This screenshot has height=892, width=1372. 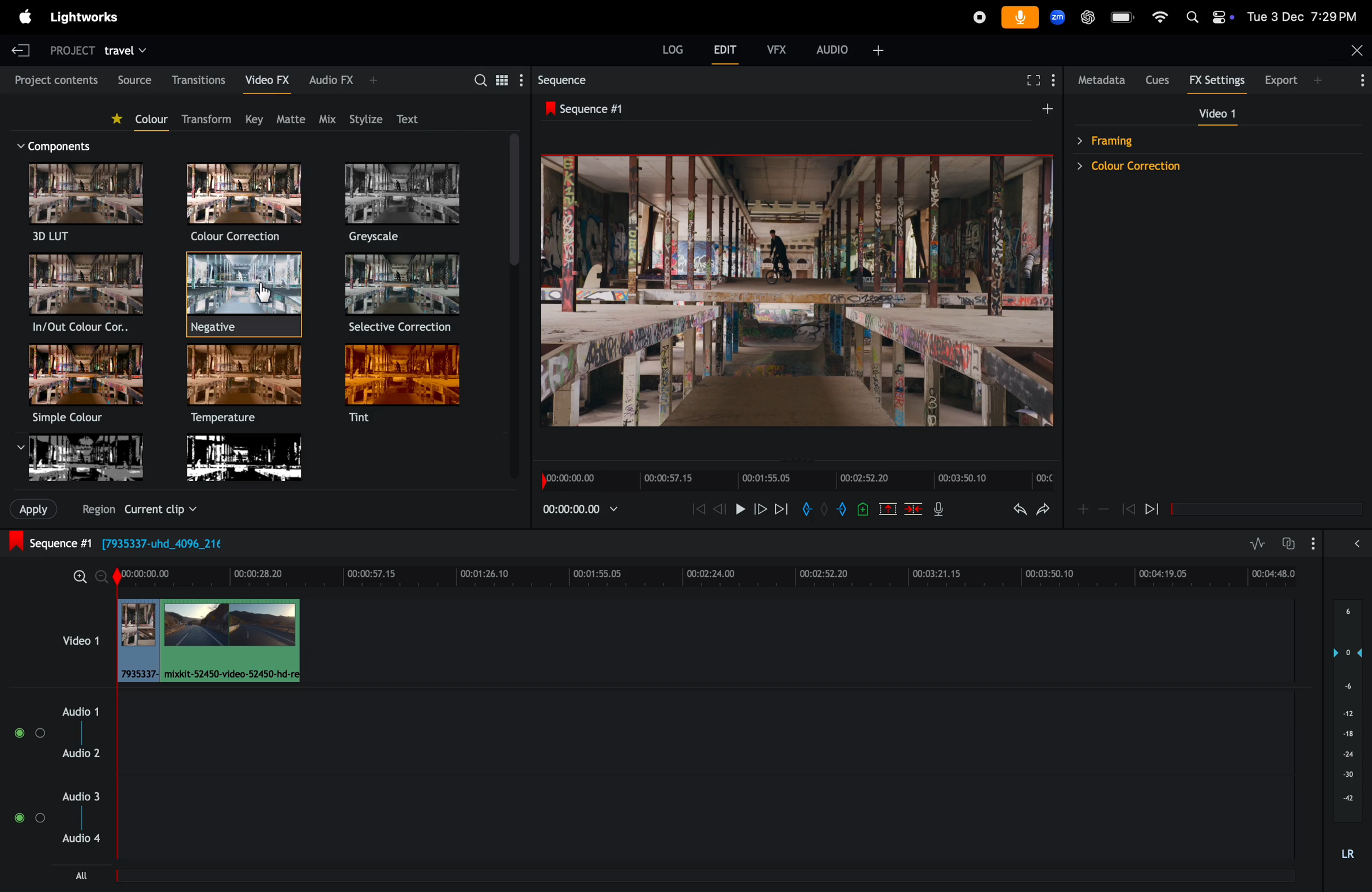 I want to click on apple widgets, so click(x=1208, y=16).